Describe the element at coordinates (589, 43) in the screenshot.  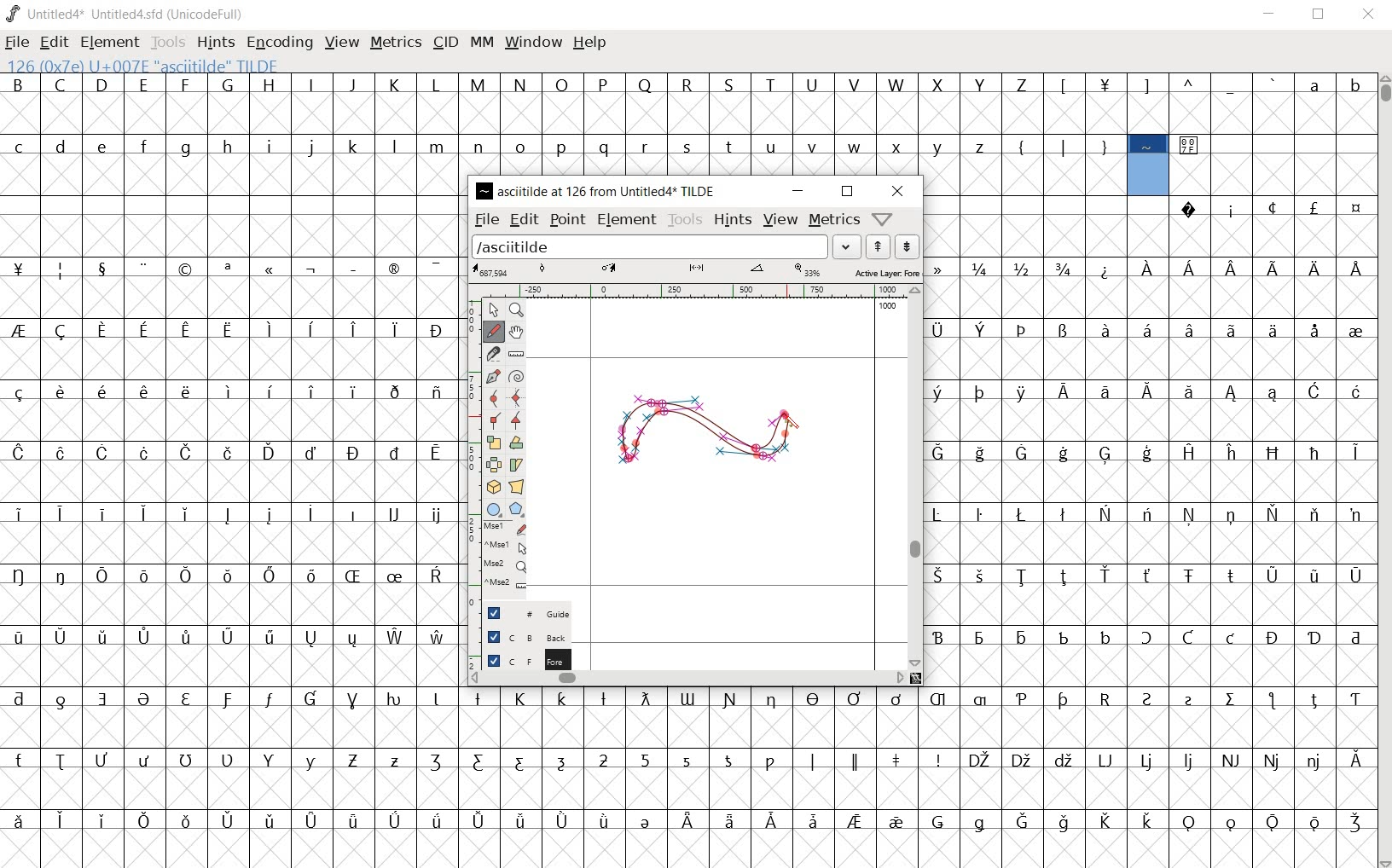
I see `HELP` at that location.